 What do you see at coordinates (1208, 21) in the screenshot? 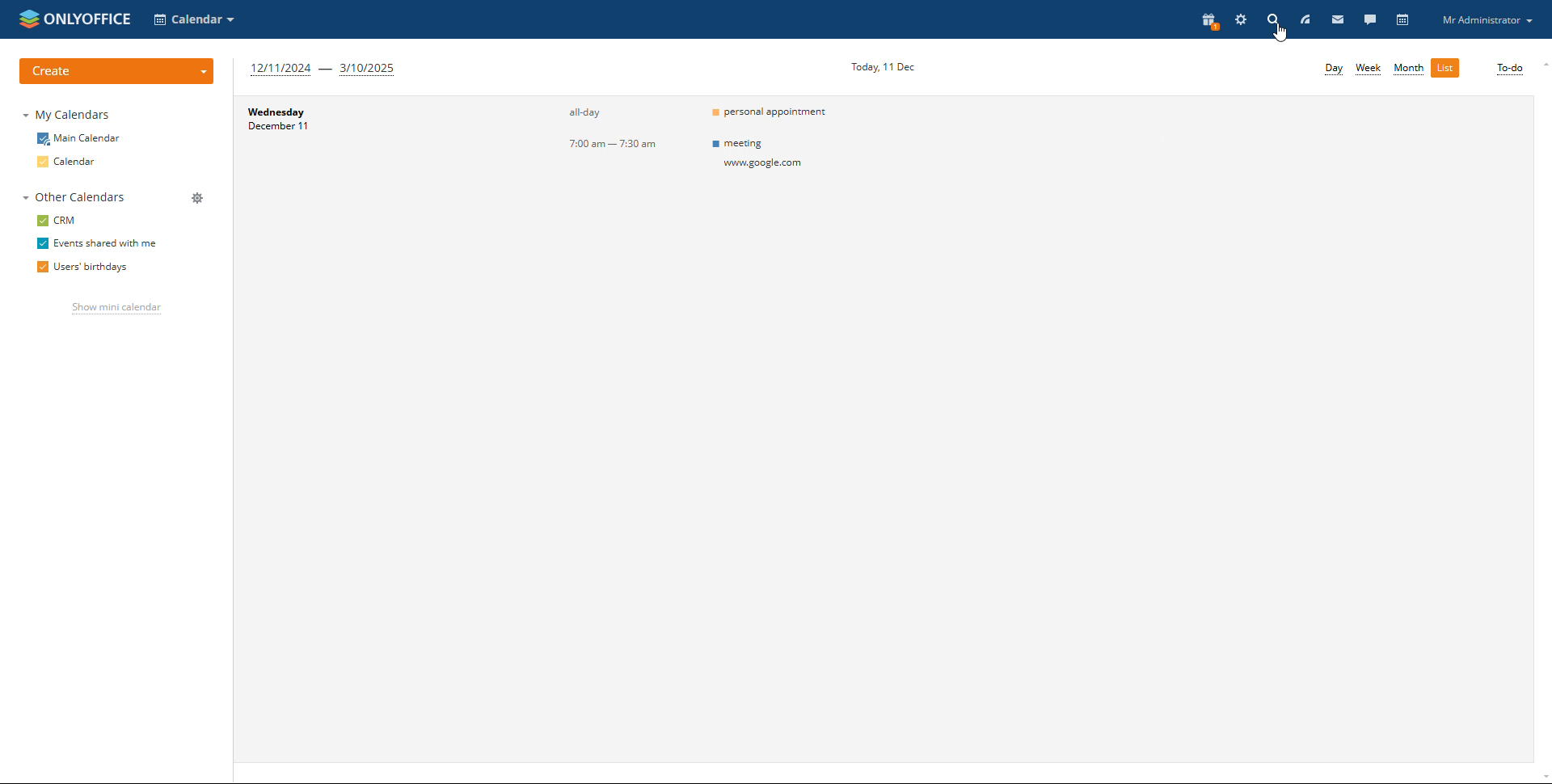
I see `present` at bounding box center [1208, 21].